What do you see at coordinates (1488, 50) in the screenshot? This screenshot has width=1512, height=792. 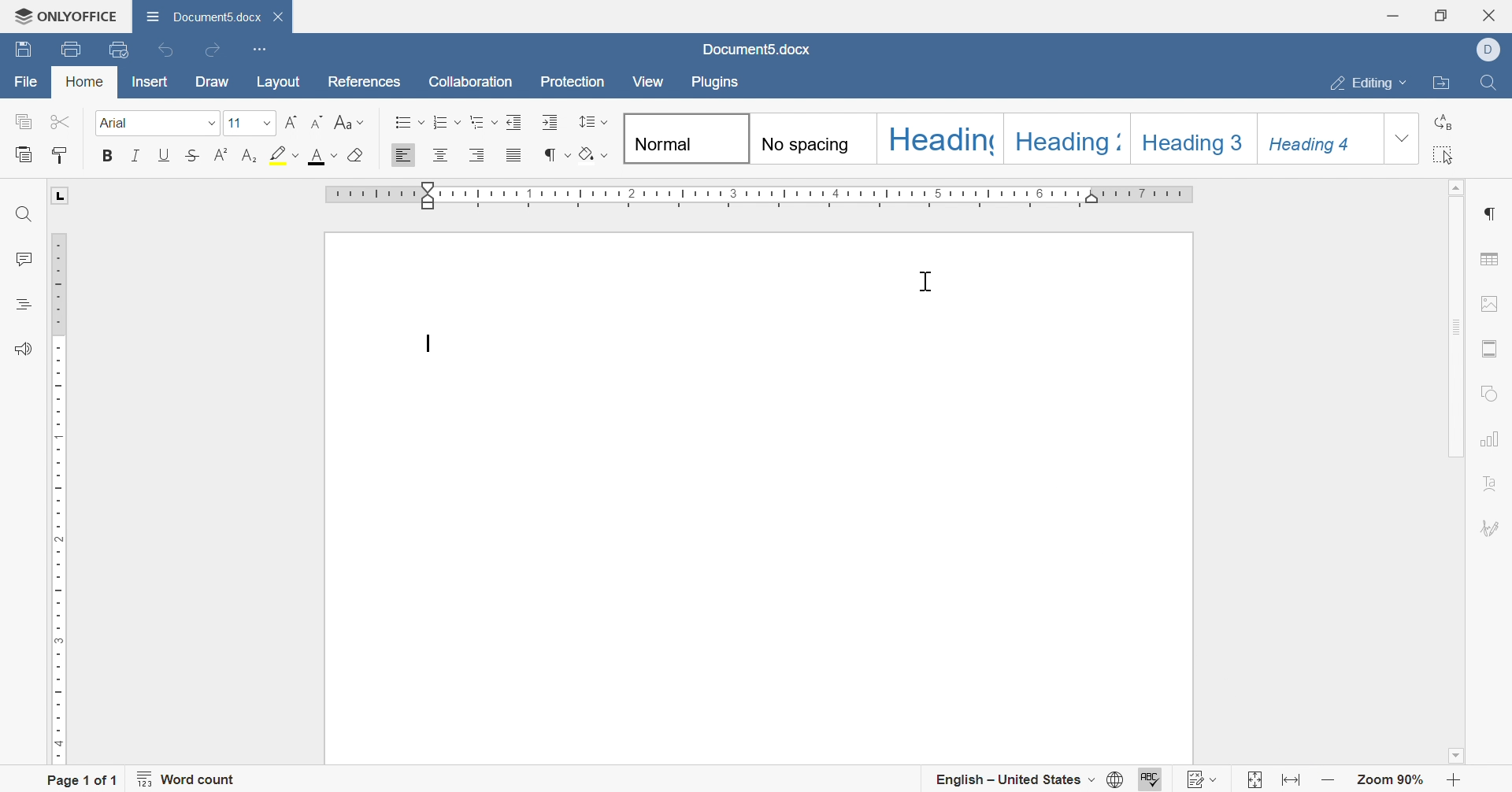 I see `dell` at bounding box center [1488, 50].